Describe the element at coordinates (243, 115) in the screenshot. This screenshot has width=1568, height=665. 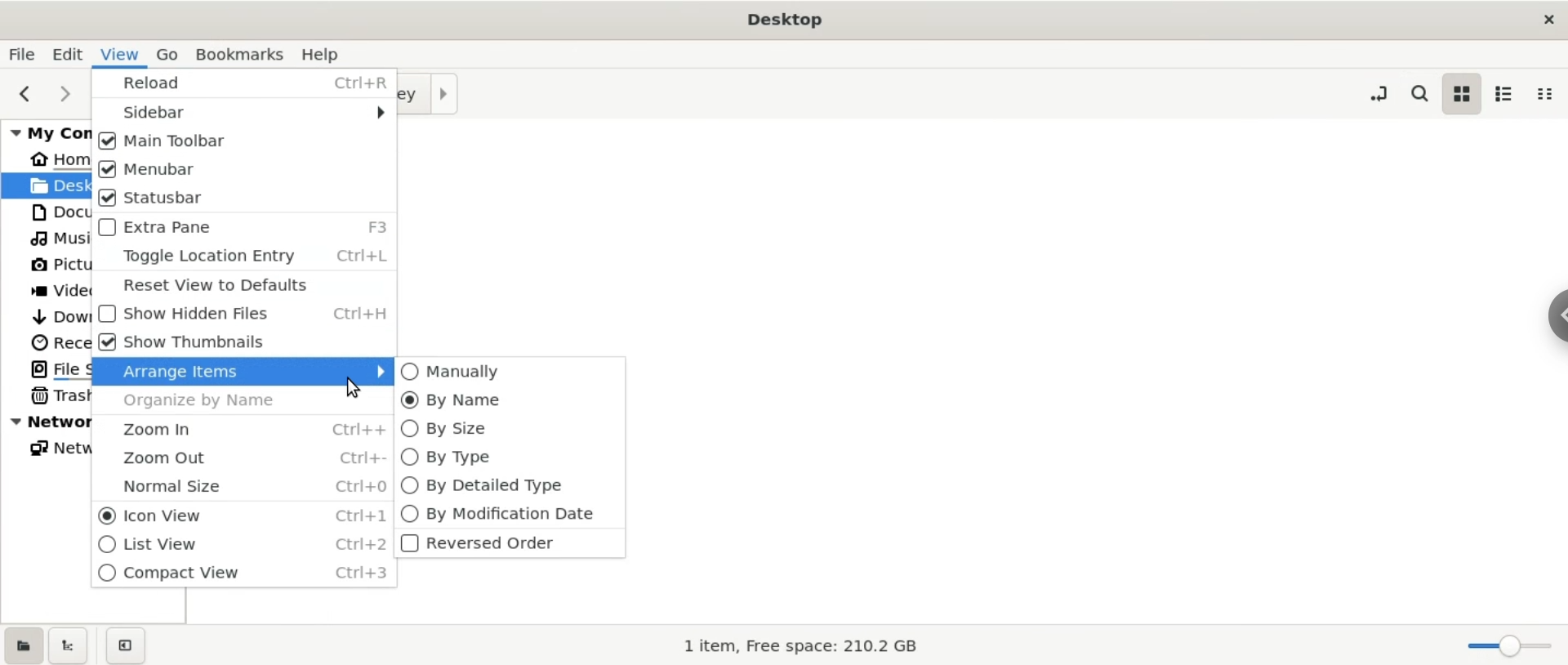
I see `sidebar` at that location.